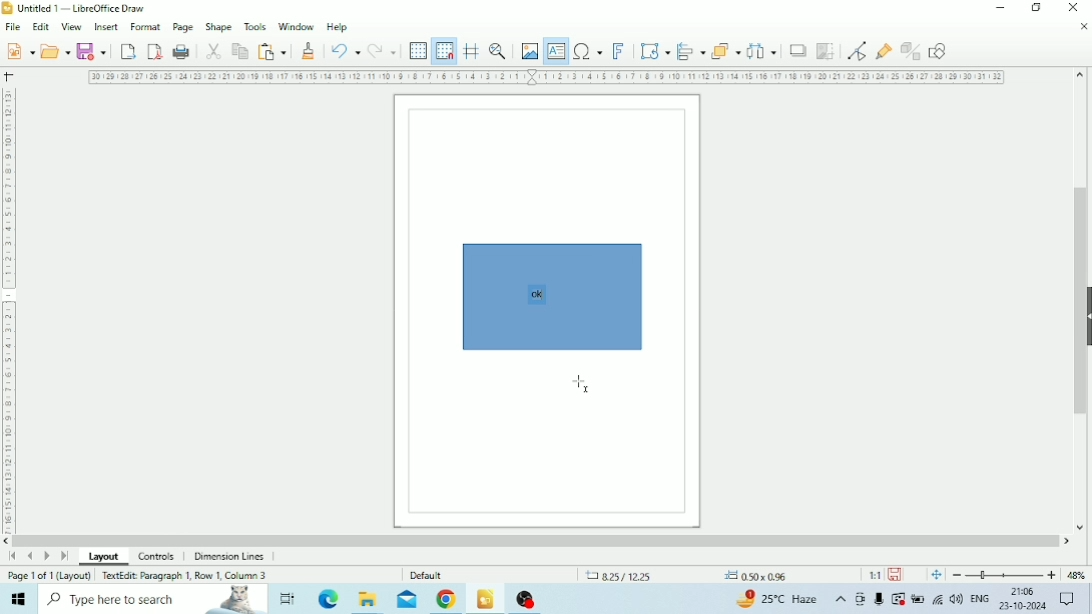  Describe the element at coordinates (104, 556) in the screenshot. I see `Layout` at that location.